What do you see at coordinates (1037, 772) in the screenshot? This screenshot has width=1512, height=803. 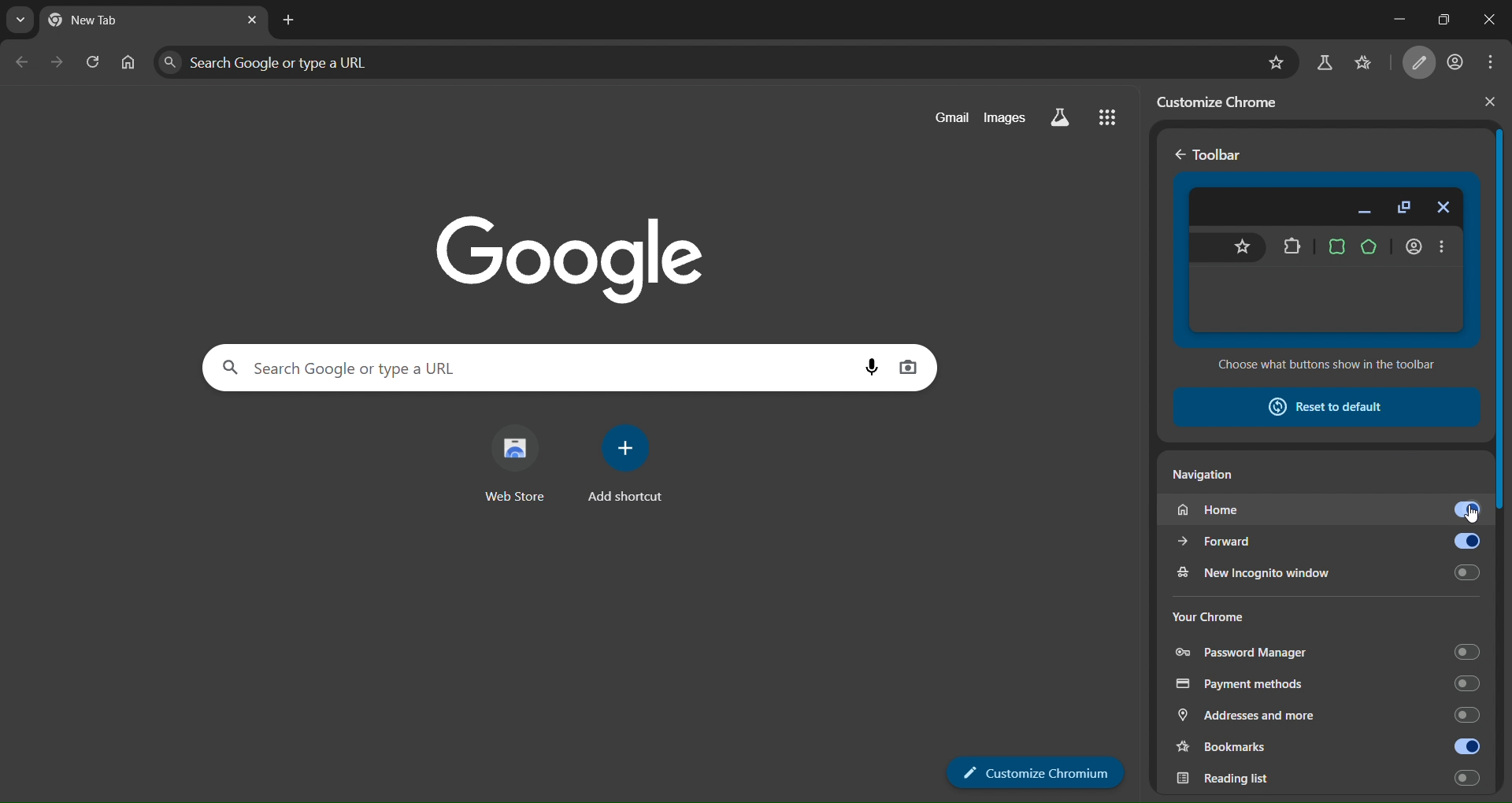 I see `Customize Chrome` at bounding box center [1037, 772].